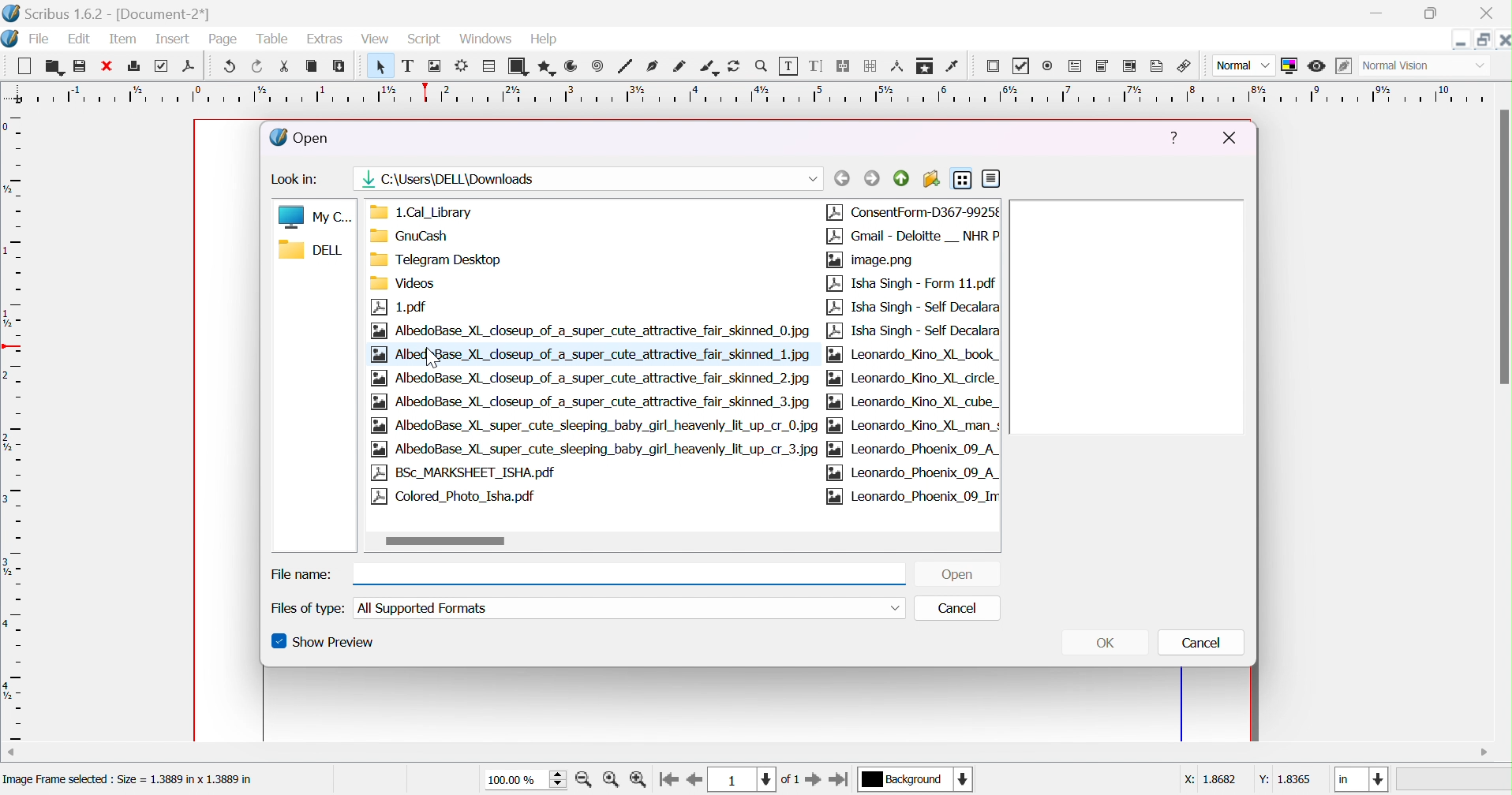 The image size is (1512, 795). I want to click on polygon, so click(545, 66).